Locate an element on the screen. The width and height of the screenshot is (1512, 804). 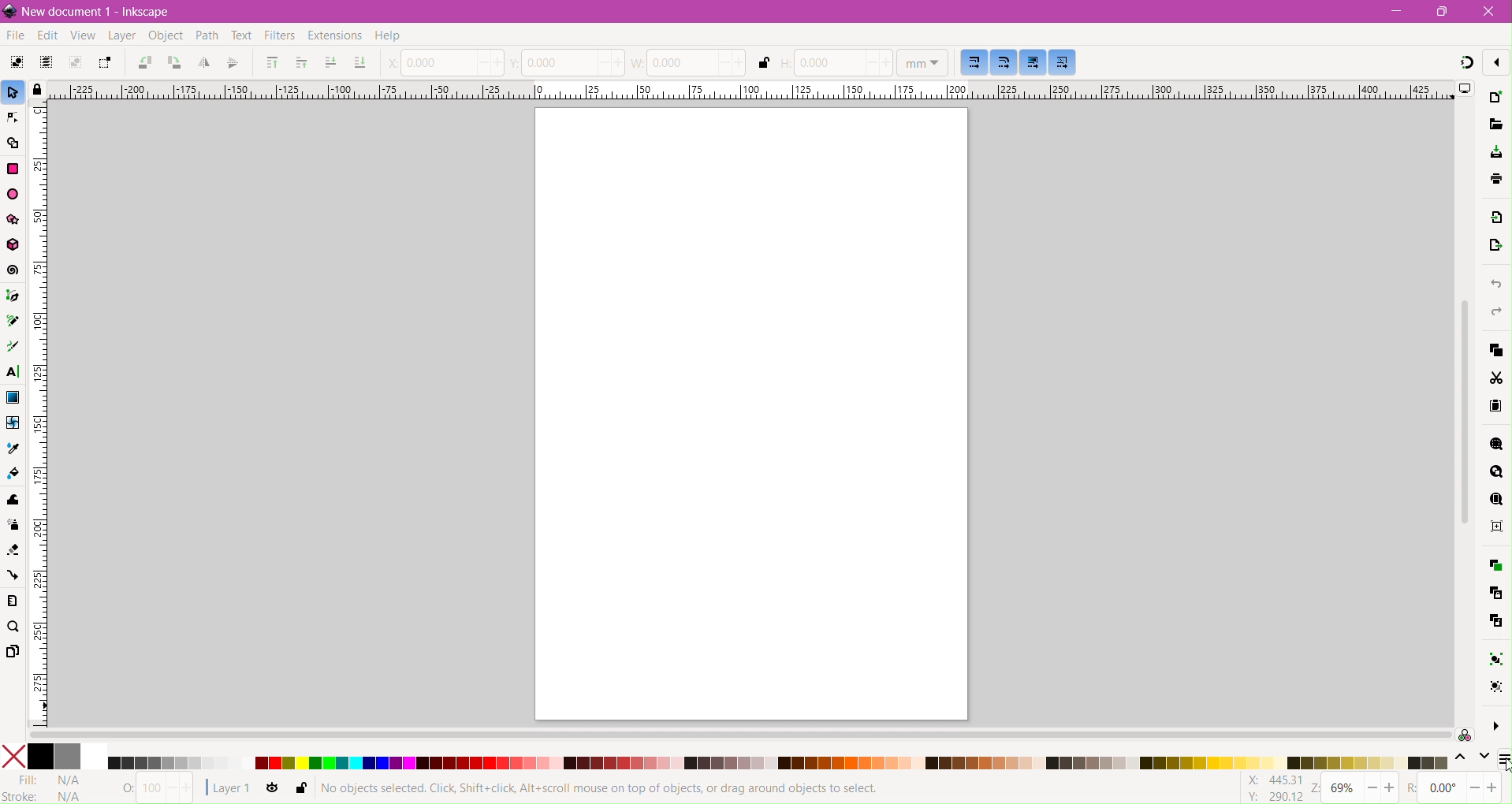
Selection Status is located at coordinates (604, 789).